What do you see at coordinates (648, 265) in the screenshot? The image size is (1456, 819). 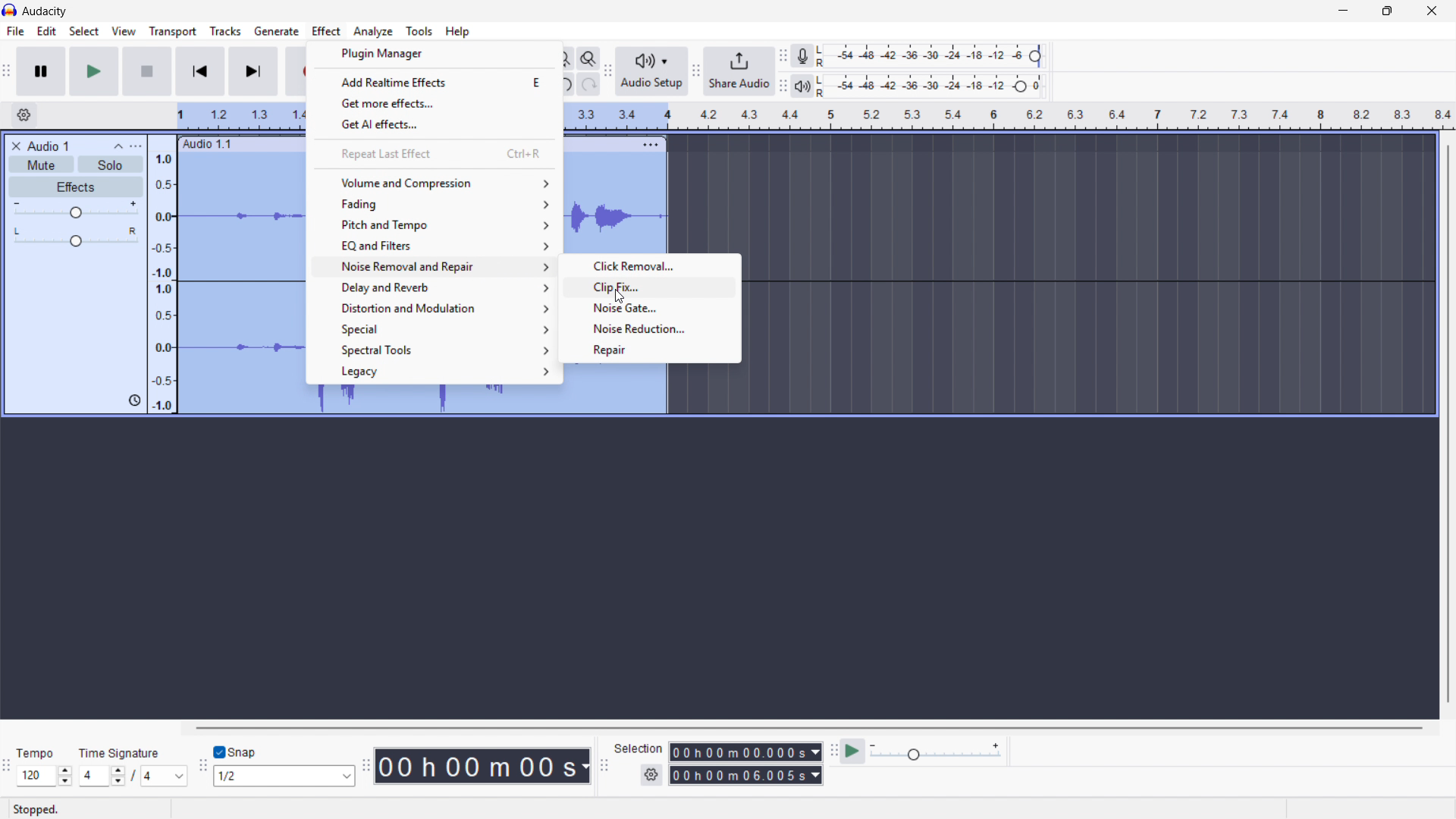 I see `Click removal ` at bounding box center [648, 265].